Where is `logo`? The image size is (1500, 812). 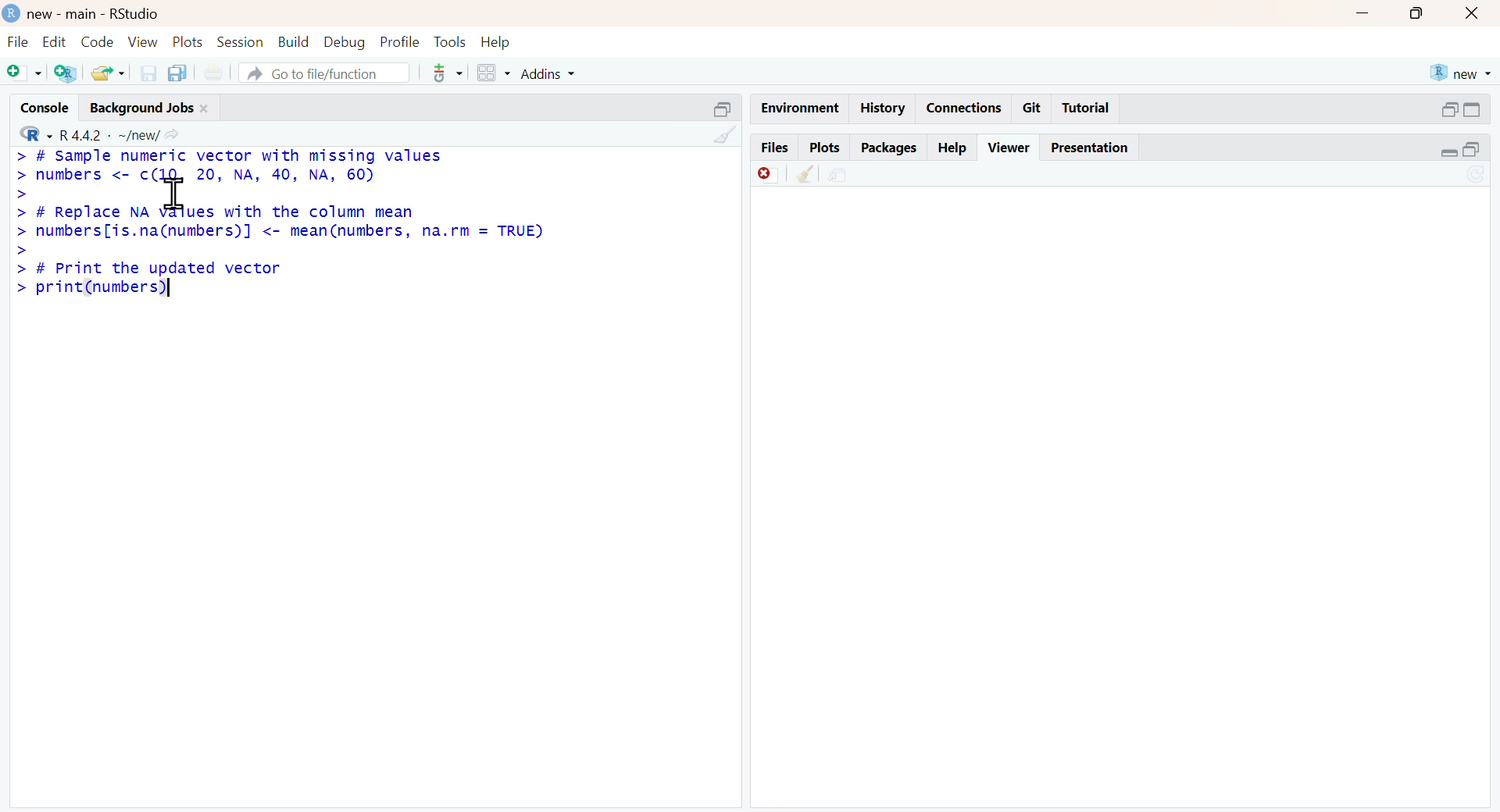
logo is located at coordinates (12, 13).